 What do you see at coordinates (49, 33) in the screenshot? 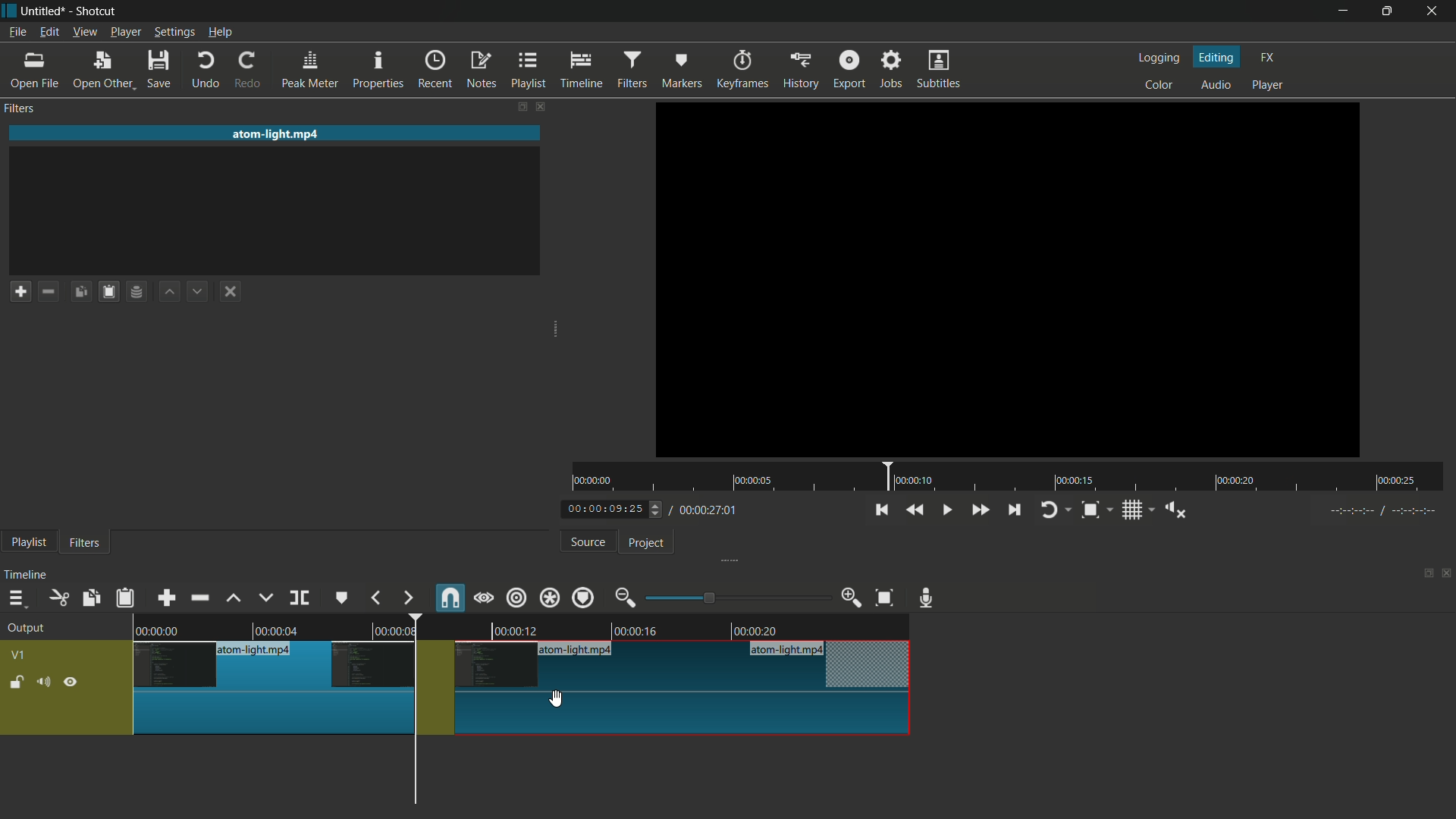
I see `edit menu` at bounding box center [49, 33].